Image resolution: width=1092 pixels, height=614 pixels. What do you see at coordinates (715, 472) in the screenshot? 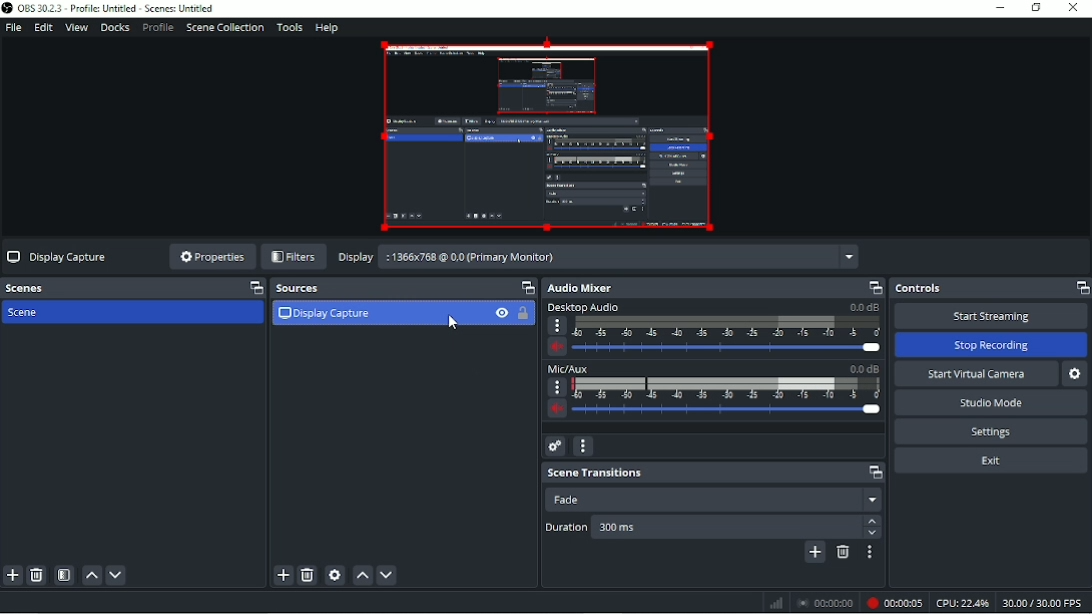
I see `Scene transitions` at bounding box center [715, 472].